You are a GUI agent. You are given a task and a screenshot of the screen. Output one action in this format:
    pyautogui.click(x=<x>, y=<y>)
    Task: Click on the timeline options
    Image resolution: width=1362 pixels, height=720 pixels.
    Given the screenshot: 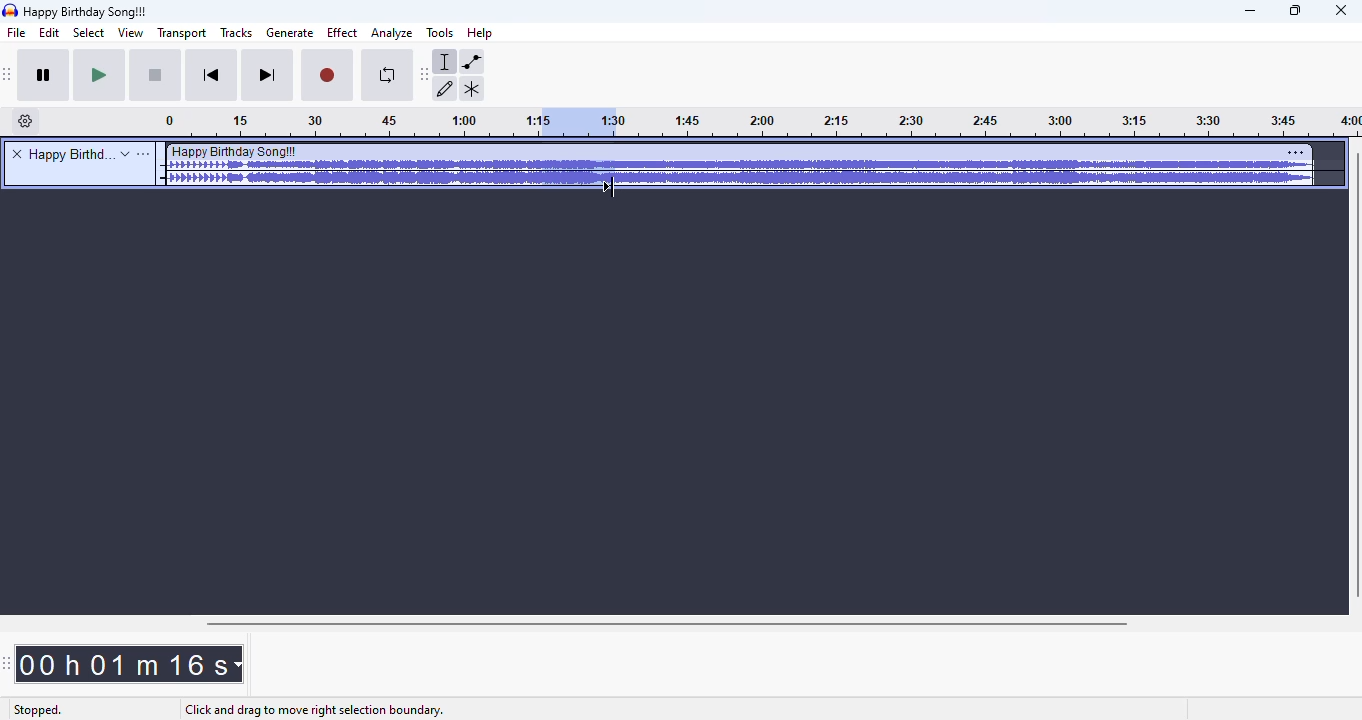 What is the action you would take?
    pyautogui.click(x=26, y=121)
    